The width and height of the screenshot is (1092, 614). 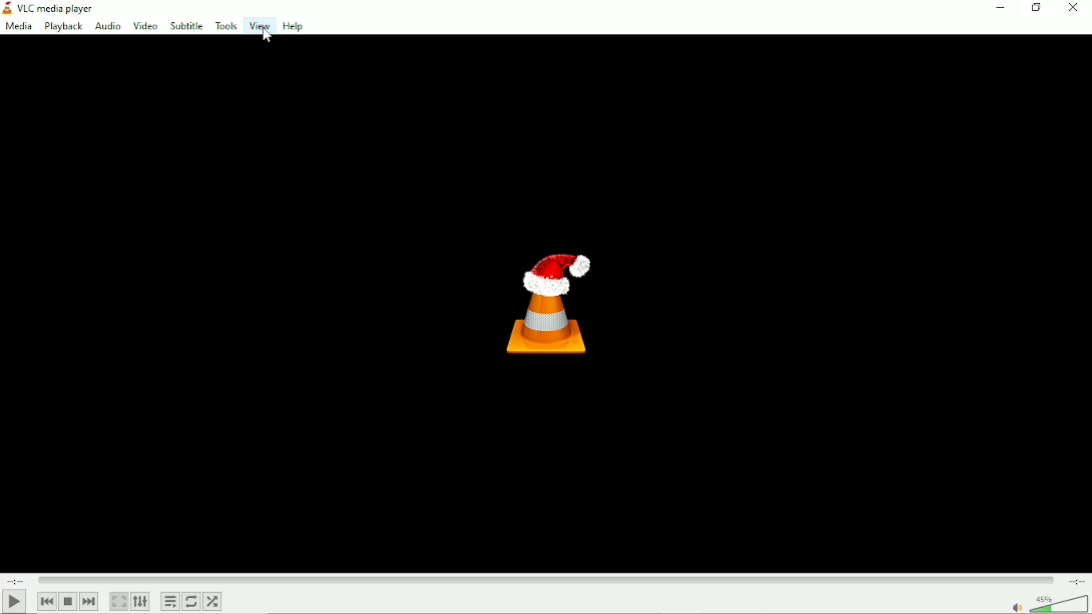 What do you see at coordinates (54, 8) in the screenshot?
I see `VLC media Player` at bounding box center [54, 8].